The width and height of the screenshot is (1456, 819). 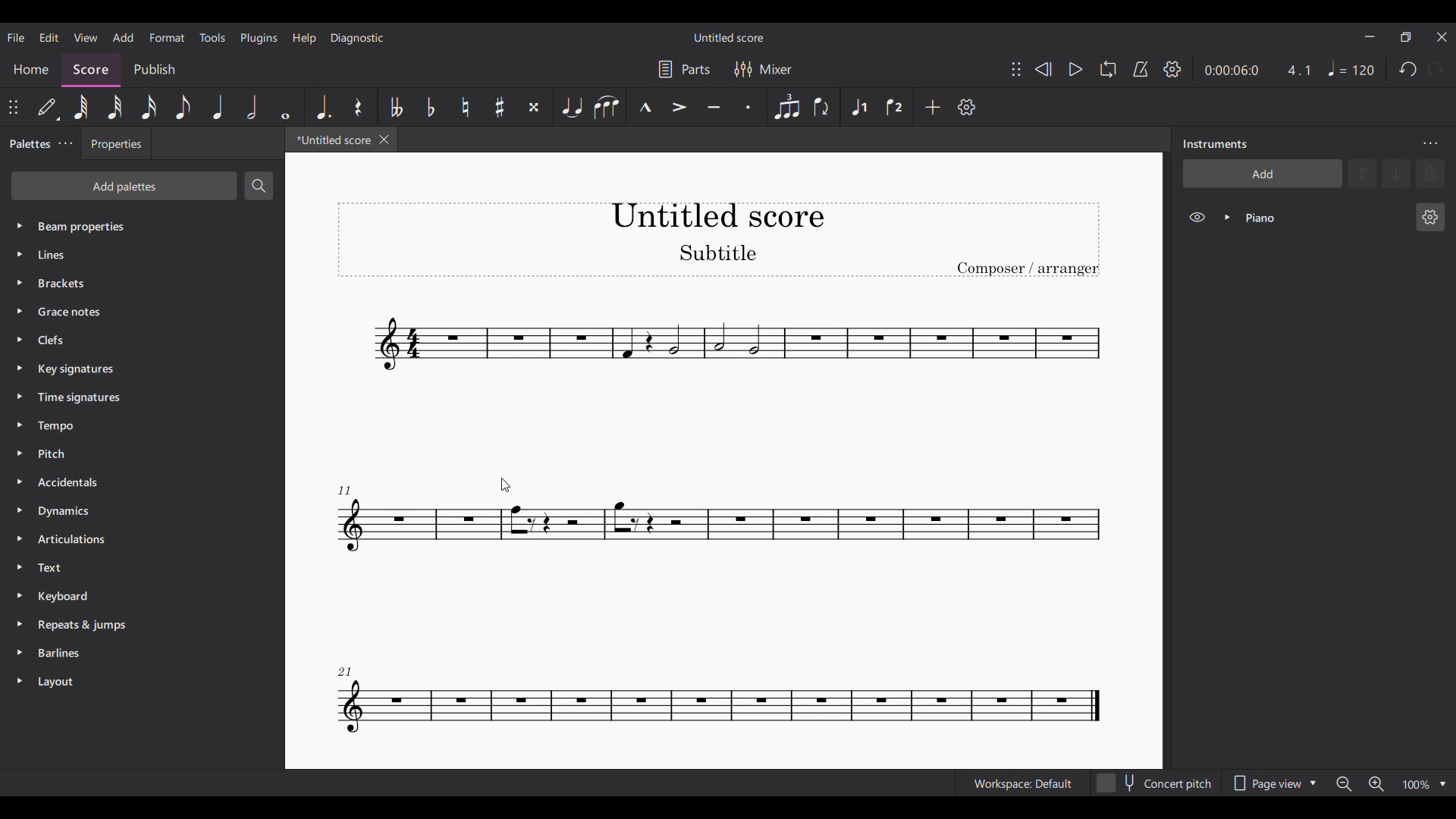 What do you see at coordinates (322, 107) in the screenshot?
I see `Augmentation dot` at bounding box center [322, 107].